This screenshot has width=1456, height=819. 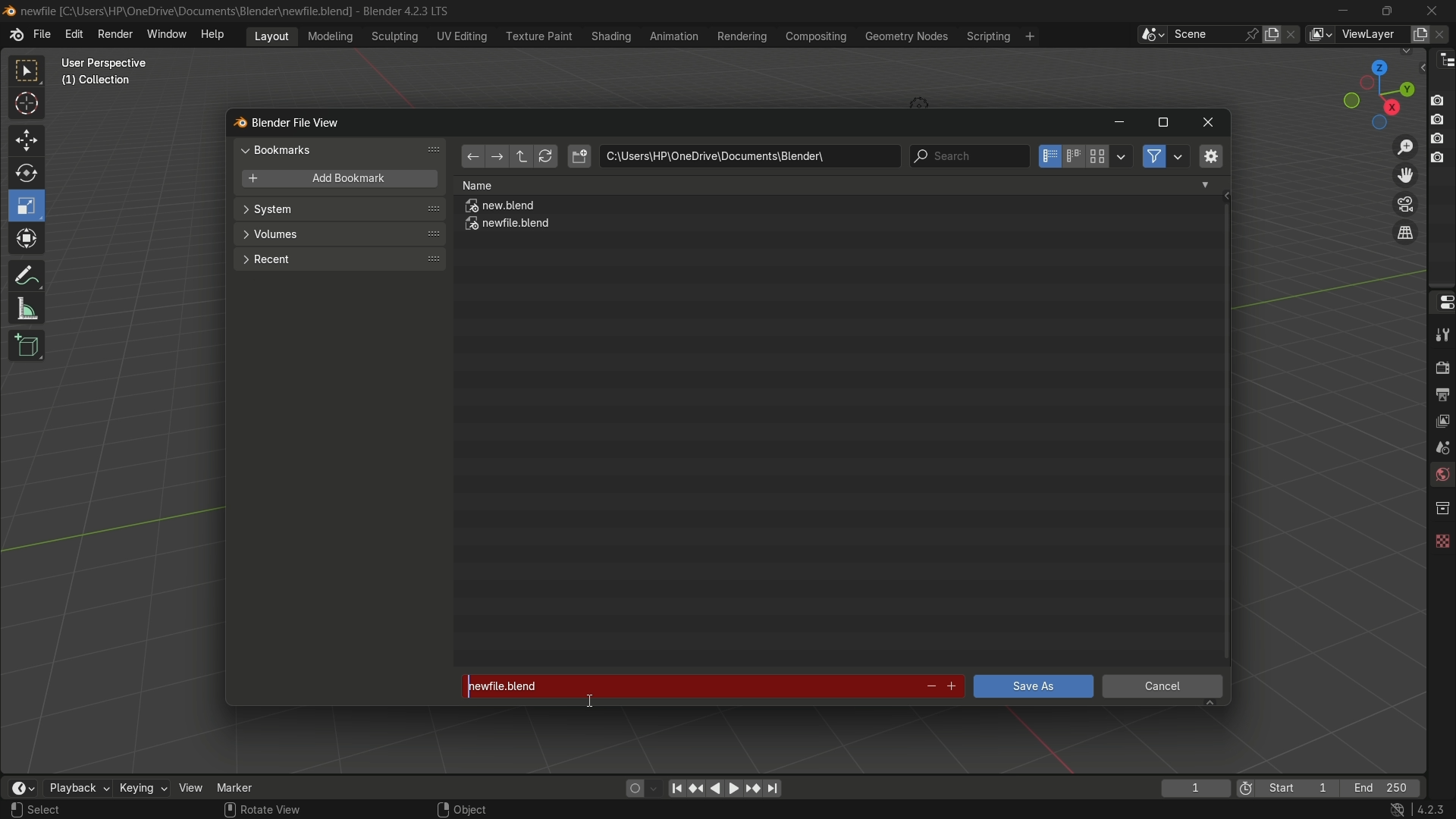 What do you see at coordinates (987, 36) in the screenshot?
I see `scripting menu` at bounding box center [987, 36].